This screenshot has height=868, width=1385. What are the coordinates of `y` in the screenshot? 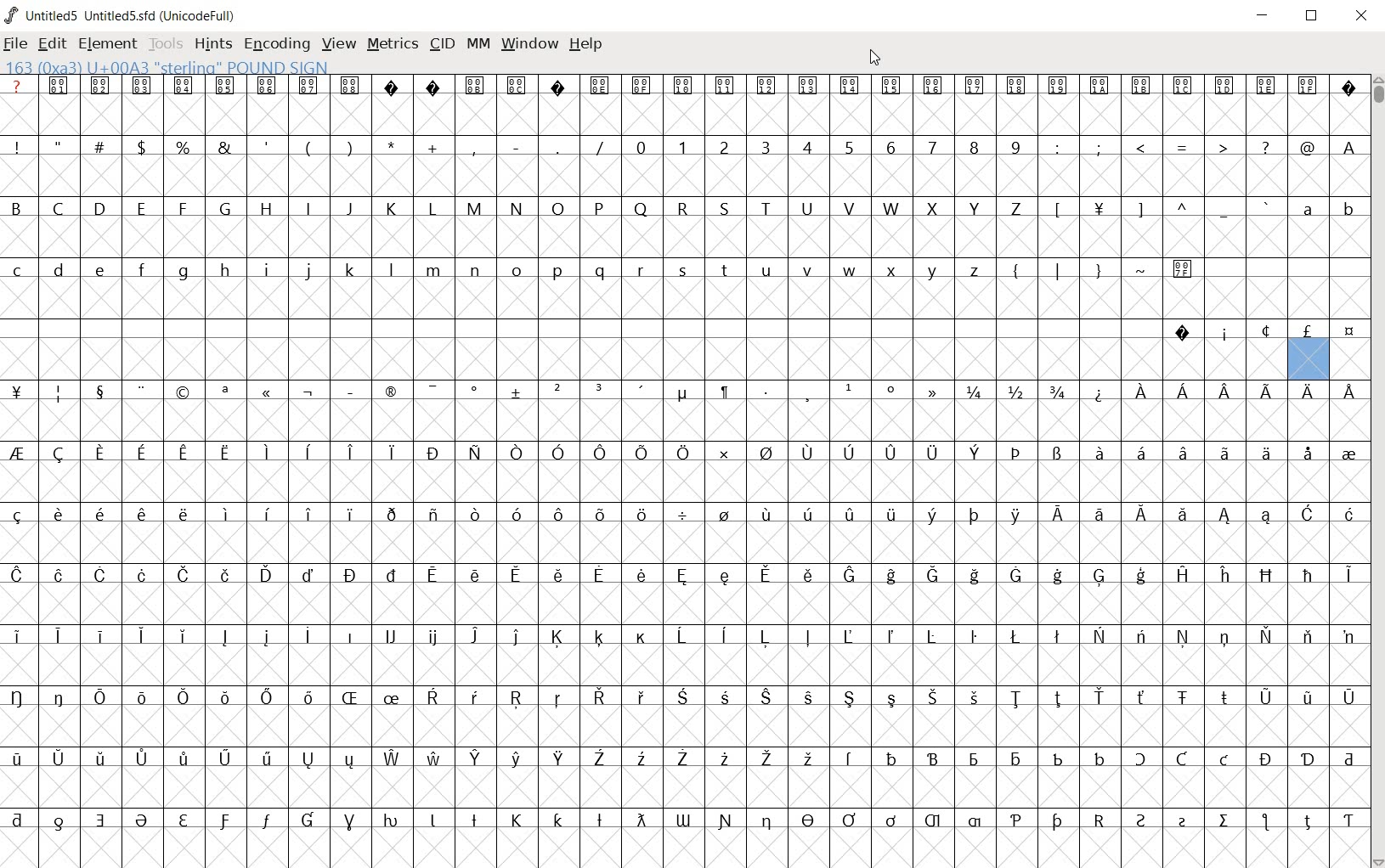 It's located at (934, 270).